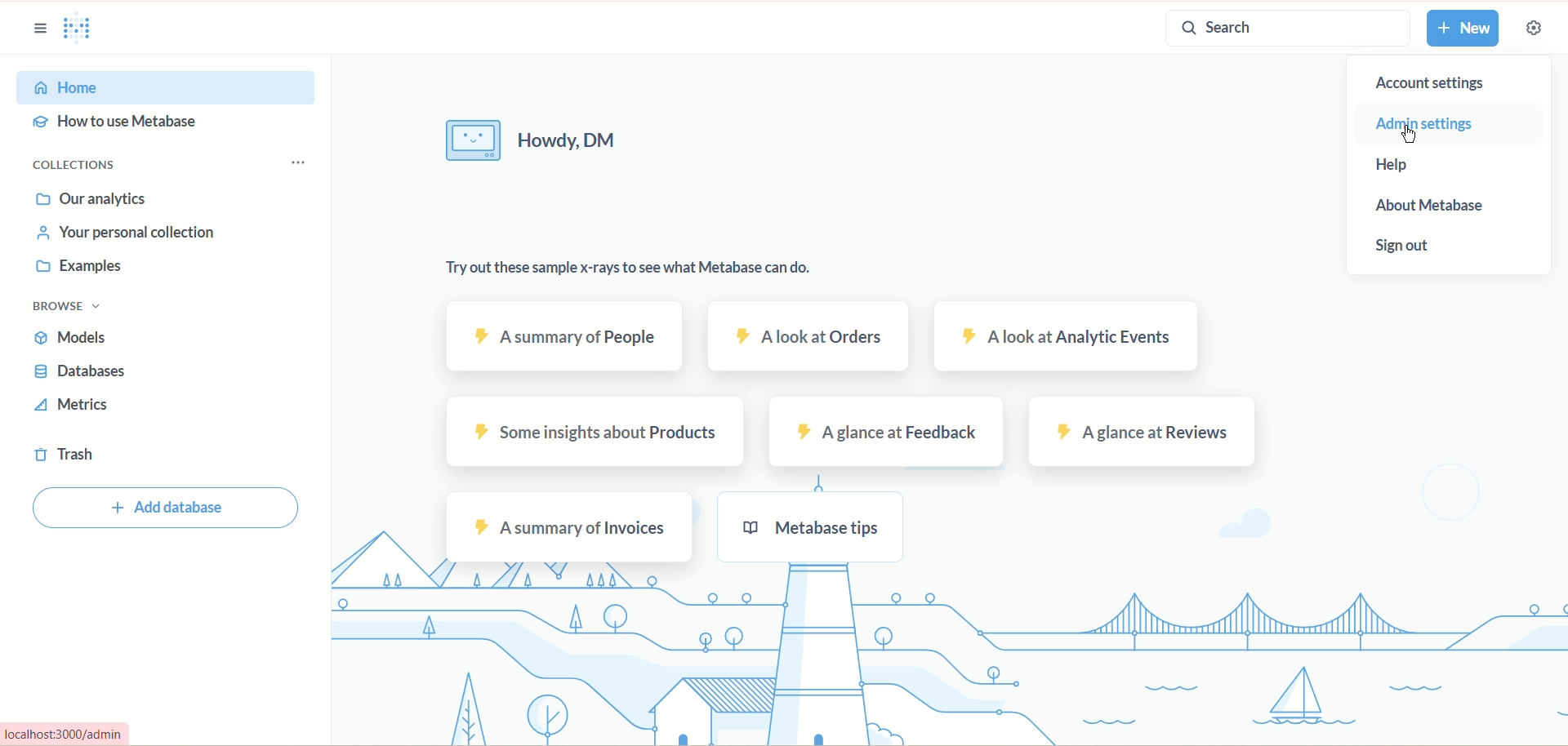 The height and width of the screenshot is (746, 1568). I want to click on examples, so click(84, 269).